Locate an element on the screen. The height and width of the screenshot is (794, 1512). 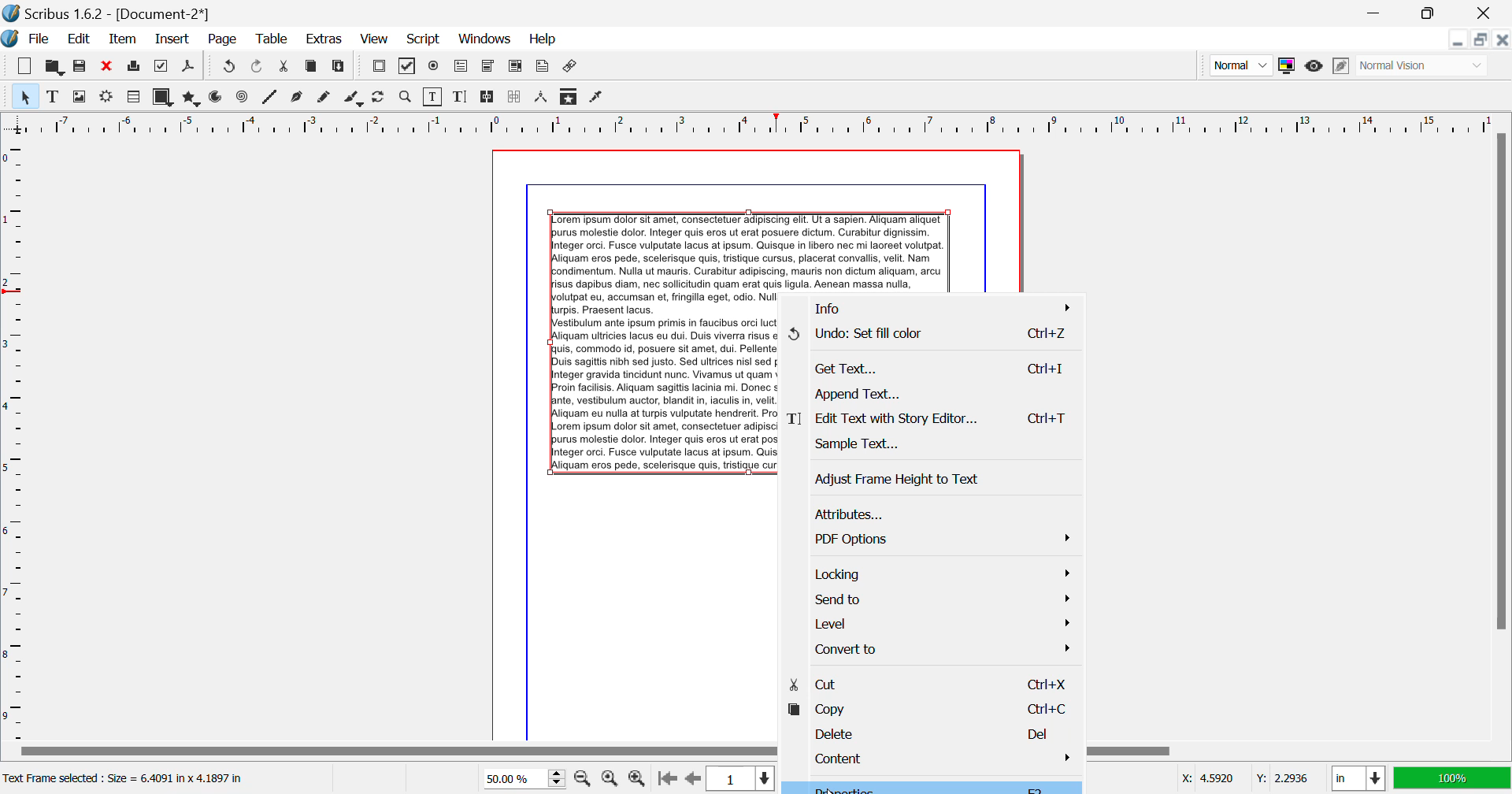
Shapes is located at coordinates (162, 97).